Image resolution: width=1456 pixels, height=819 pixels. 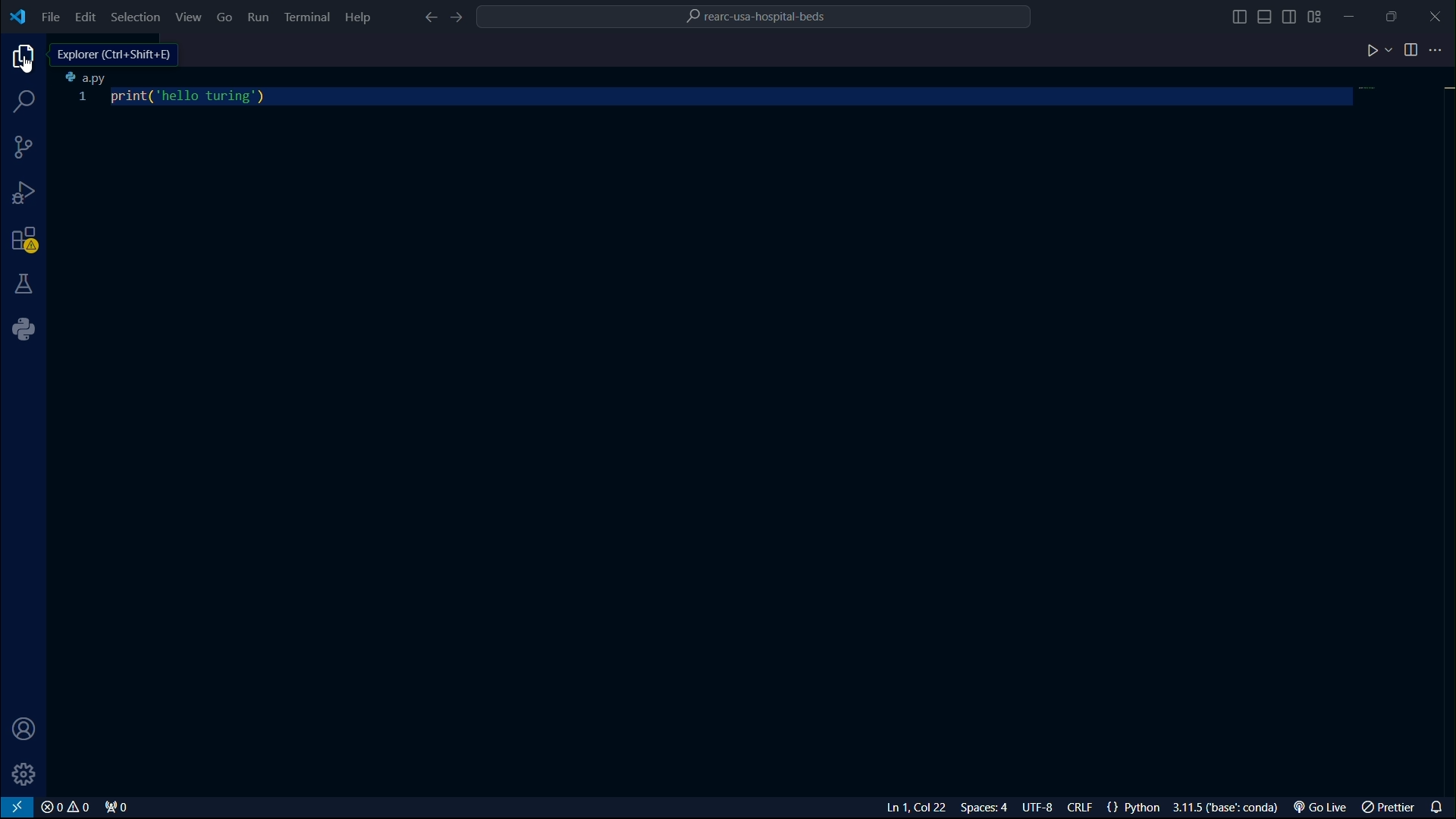 I want to click on notifications, so click(x=1439, y=805).